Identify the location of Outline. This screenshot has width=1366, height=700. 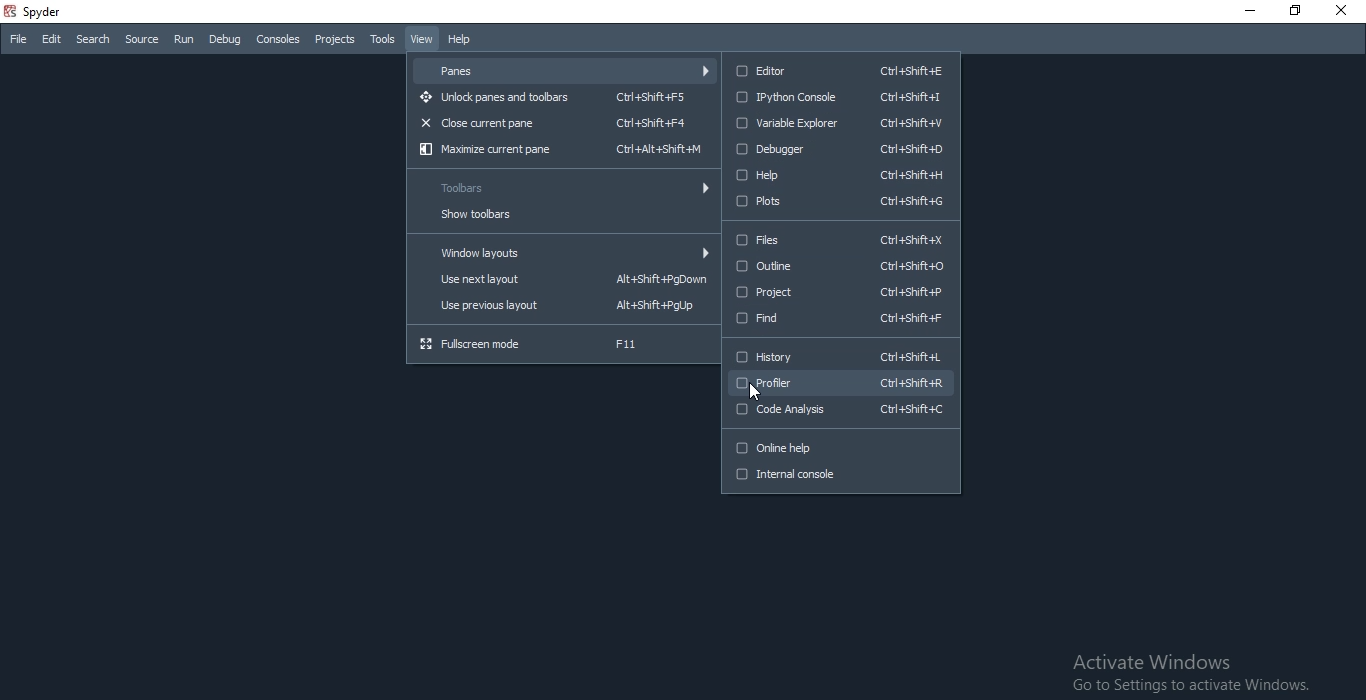
(840, 266).